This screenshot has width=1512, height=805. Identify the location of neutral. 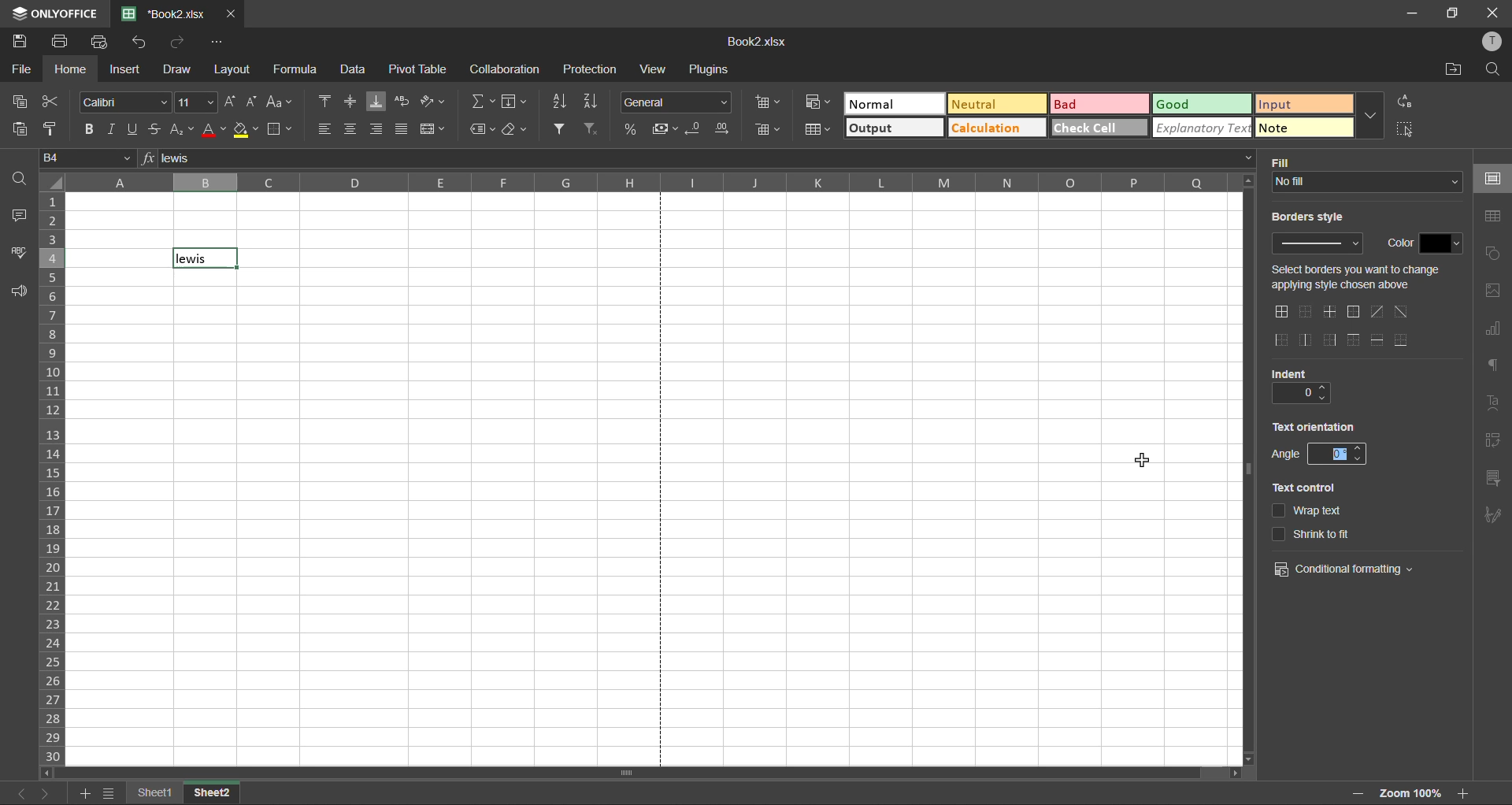
(995, 103).